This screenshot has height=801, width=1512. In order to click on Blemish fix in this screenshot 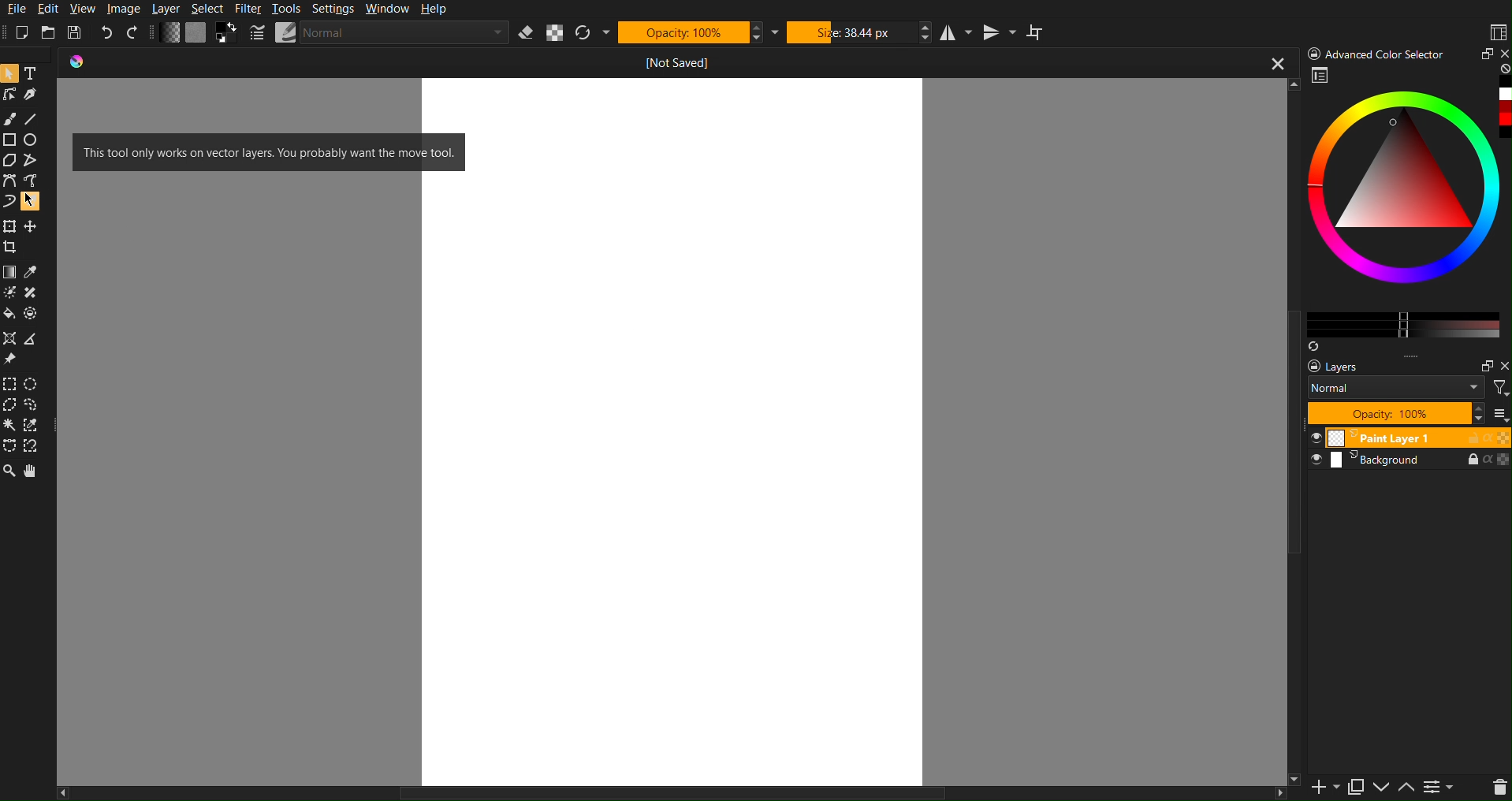, I will do `click(35, 294)`.